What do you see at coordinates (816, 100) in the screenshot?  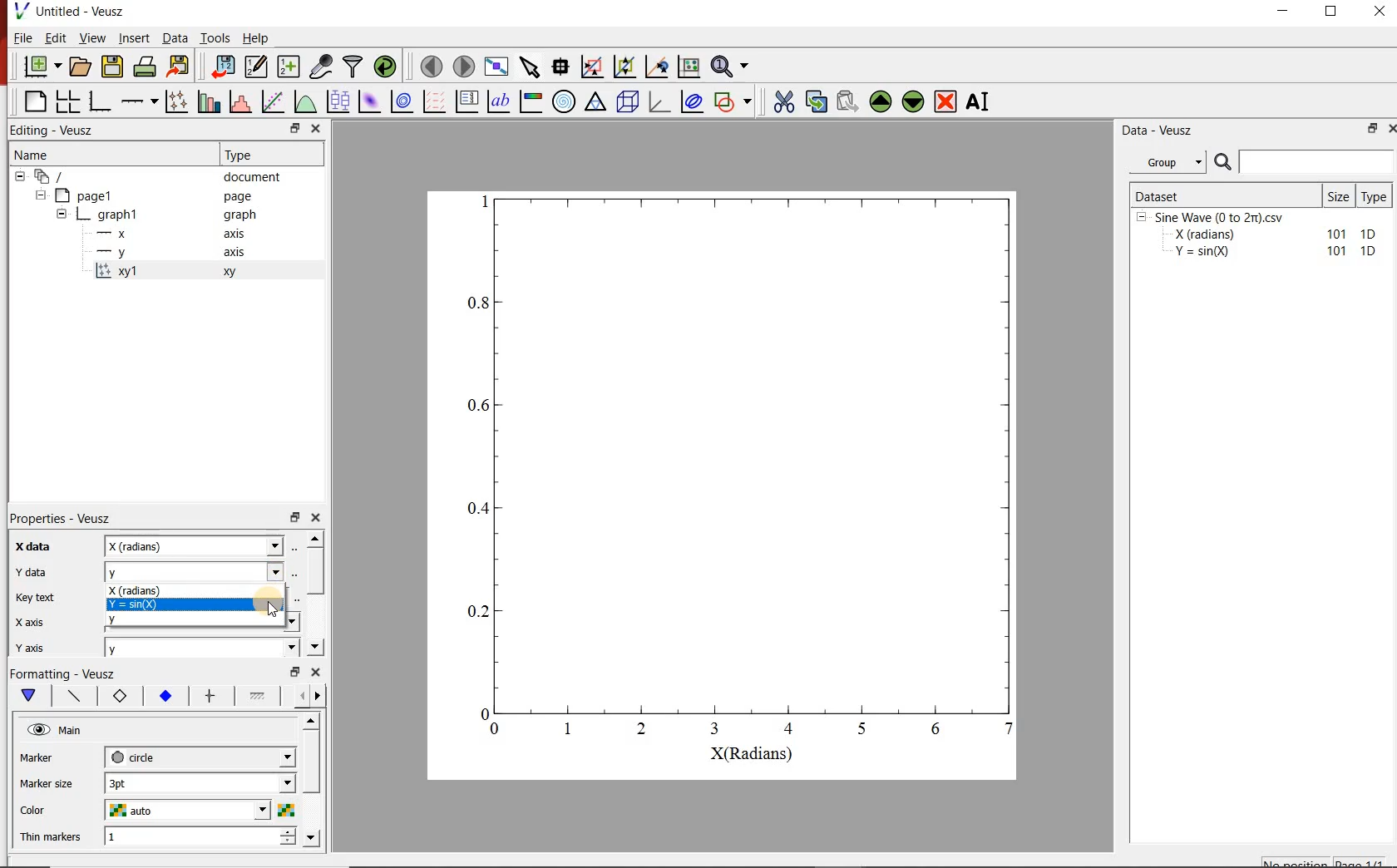 I see `copy` at bounding box center [816, 100].